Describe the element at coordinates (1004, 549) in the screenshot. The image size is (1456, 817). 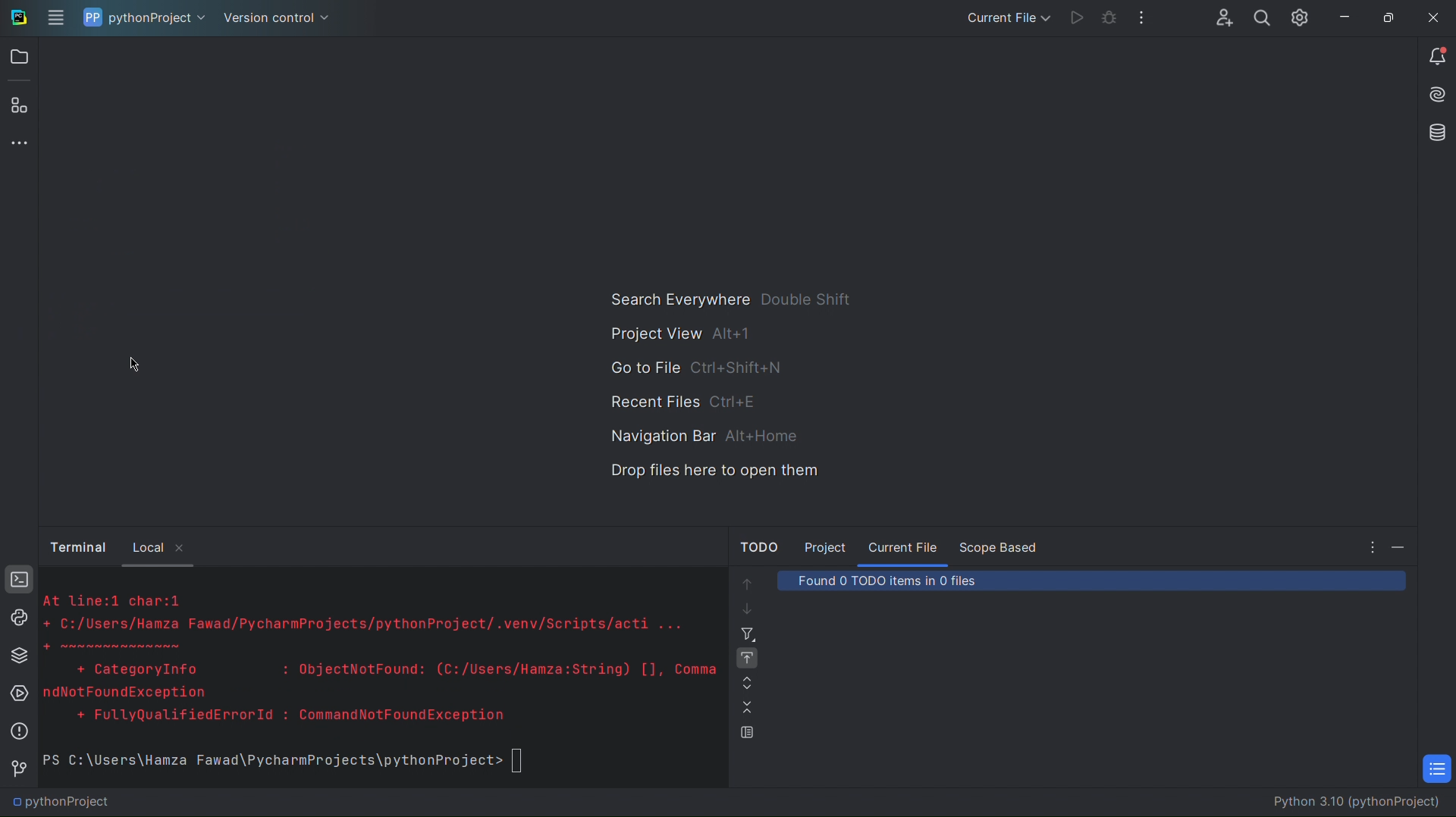
I see `Scope Based` at that location.